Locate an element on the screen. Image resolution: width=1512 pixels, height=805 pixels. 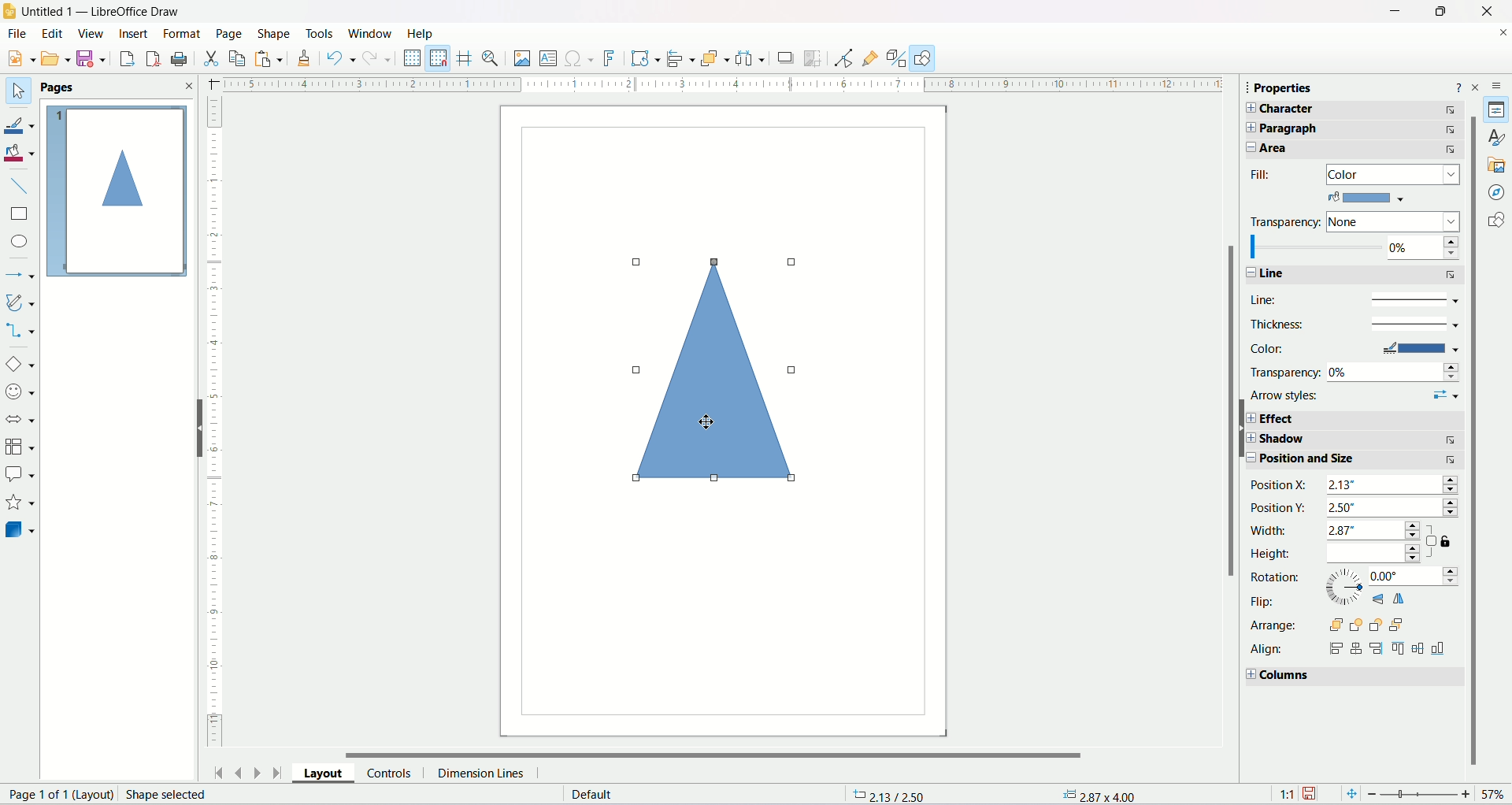
vertical scroll bar is located at coordinates (1473, 441).